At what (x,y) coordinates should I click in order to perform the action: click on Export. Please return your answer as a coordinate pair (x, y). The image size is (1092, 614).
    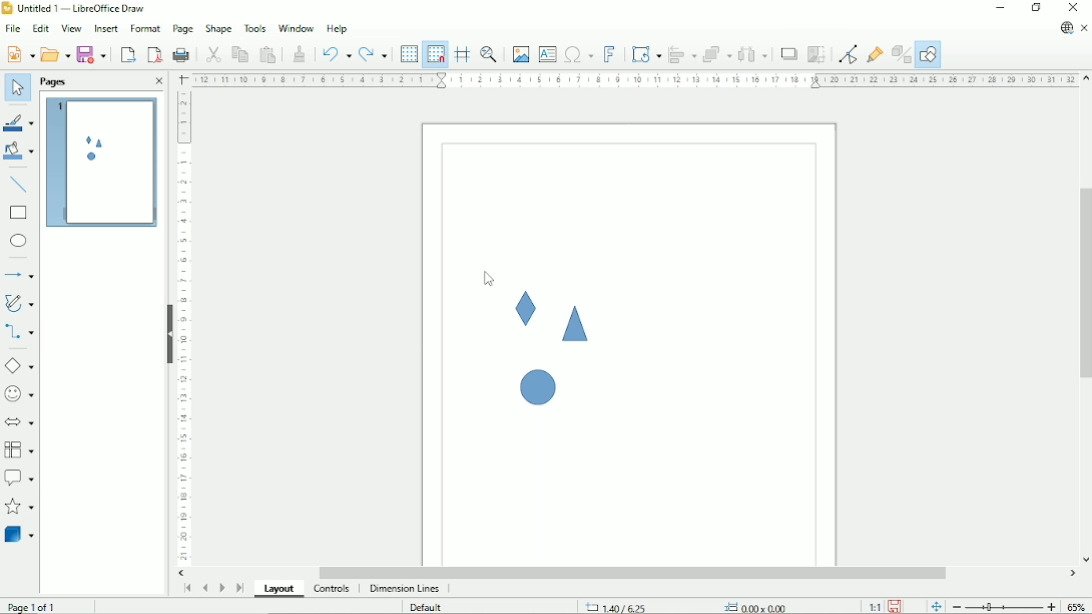
    Looking at the image, I should click on (127, 54).